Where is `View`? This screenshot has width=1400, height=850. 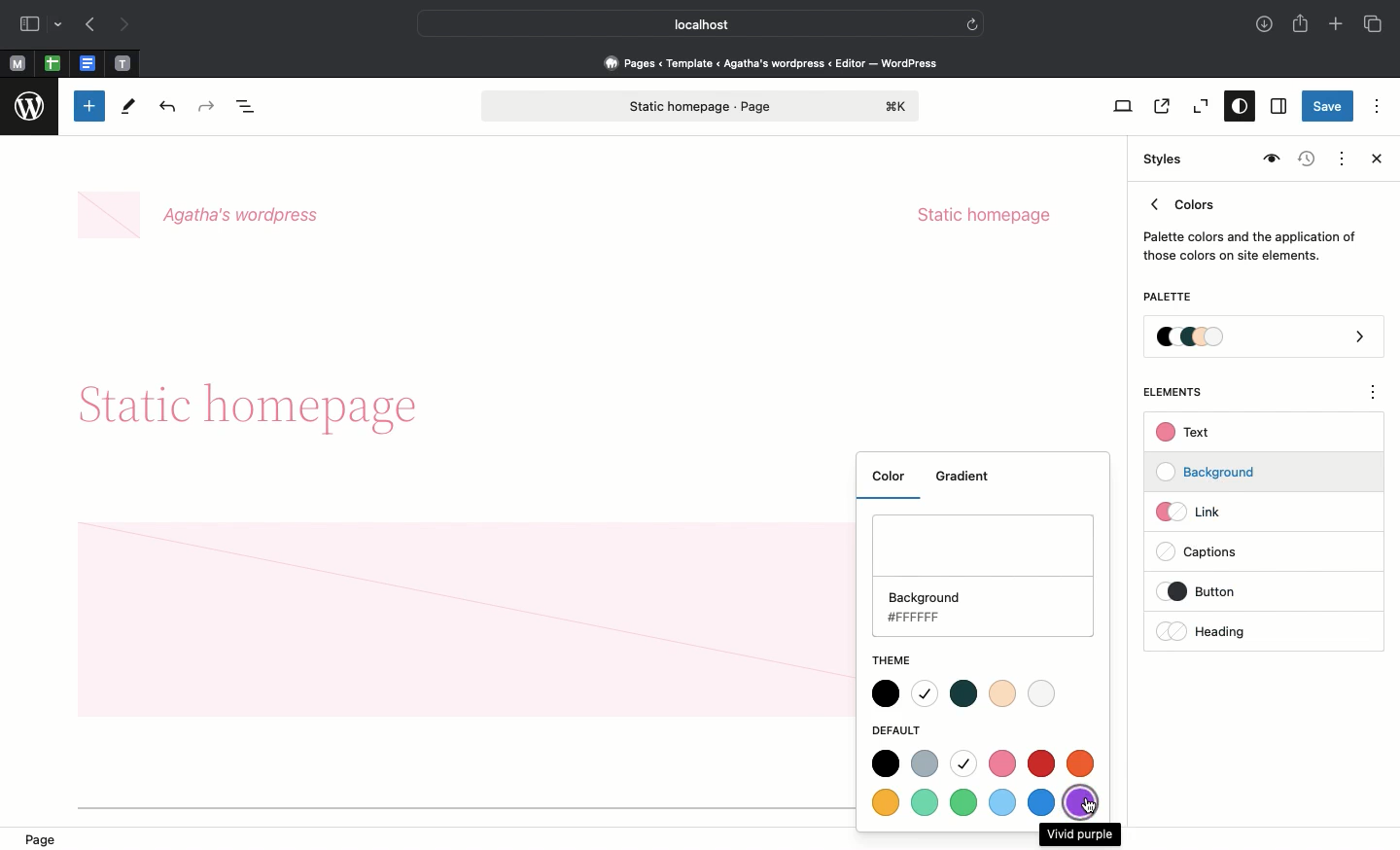
View is located at coordinates (1119, 106).